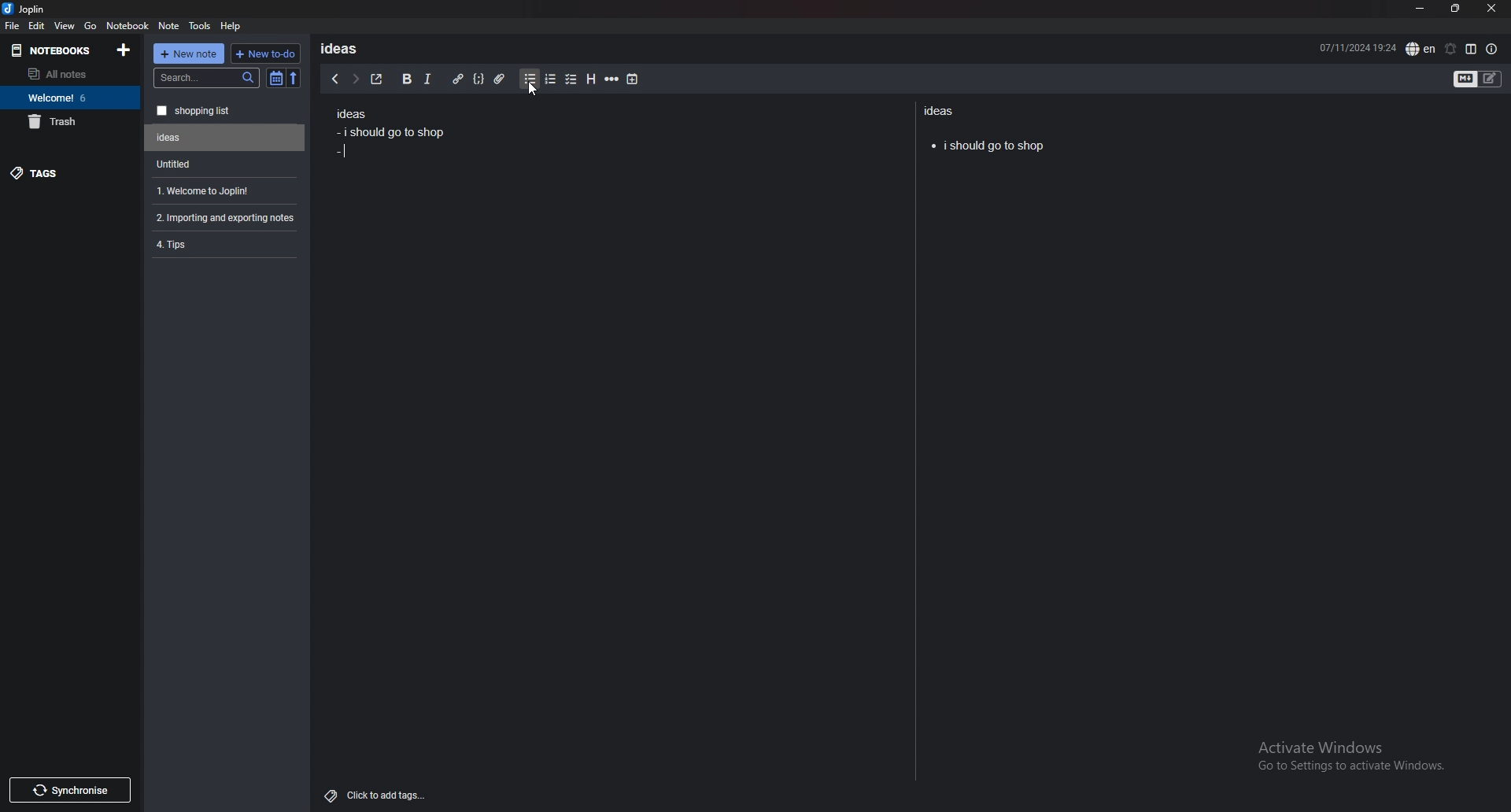  What do you see at coordinates (530, 79) in the screenshot?
I see `bullet list` at bounding box center [530, 79].